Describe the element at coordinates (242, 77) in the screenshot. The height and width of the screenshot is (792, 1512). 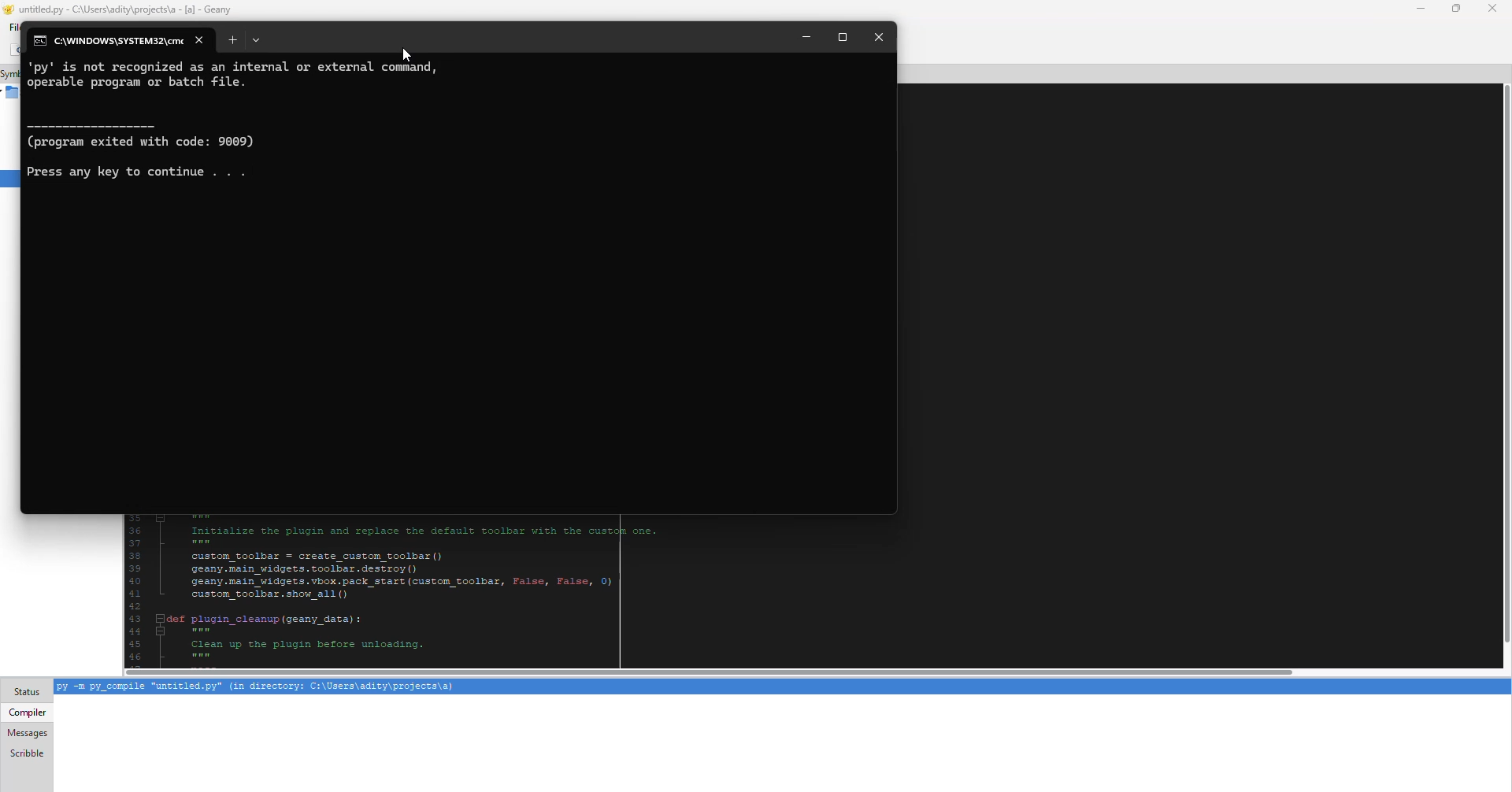
I see `info` at that location.